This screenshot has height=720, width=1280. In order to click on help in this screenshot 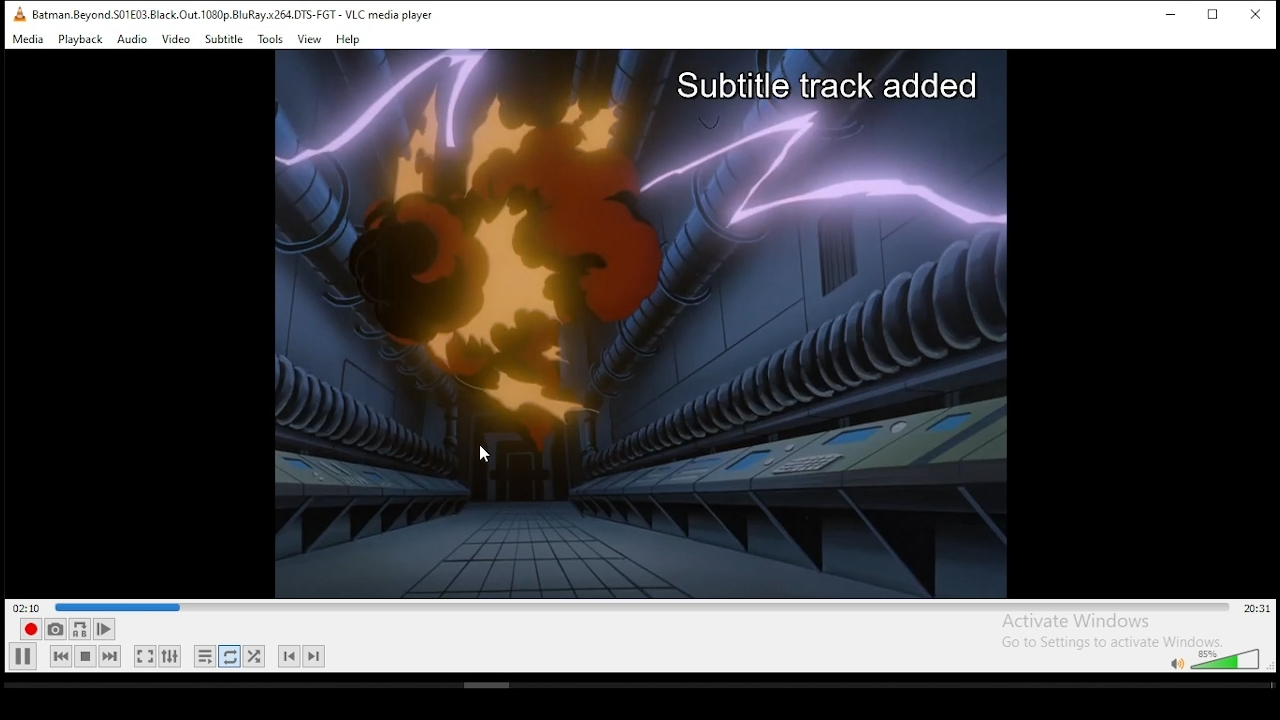, I will do `click(349, 40)`.